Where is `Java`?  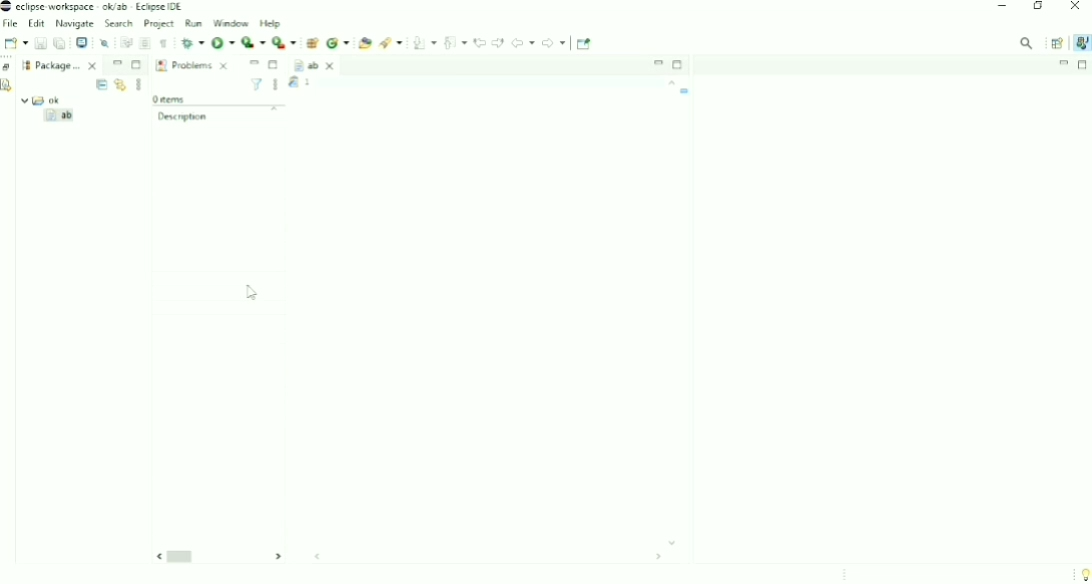 Java is located at coordinates (1080, 43).